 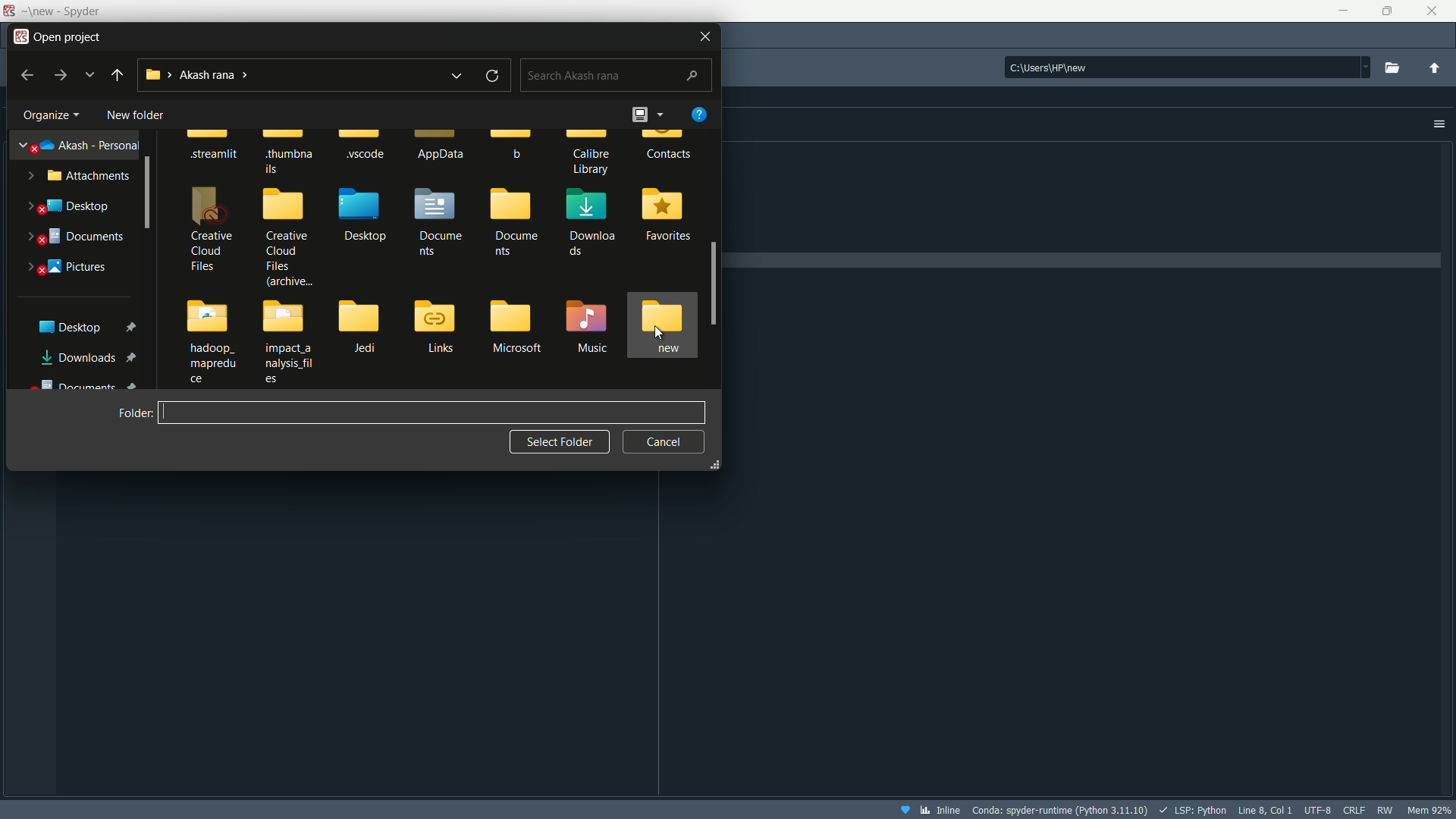 What do you see at coordinates (1431, 810) in the screenshot?
I see `memory usage` at bounding box center [1431, 810].